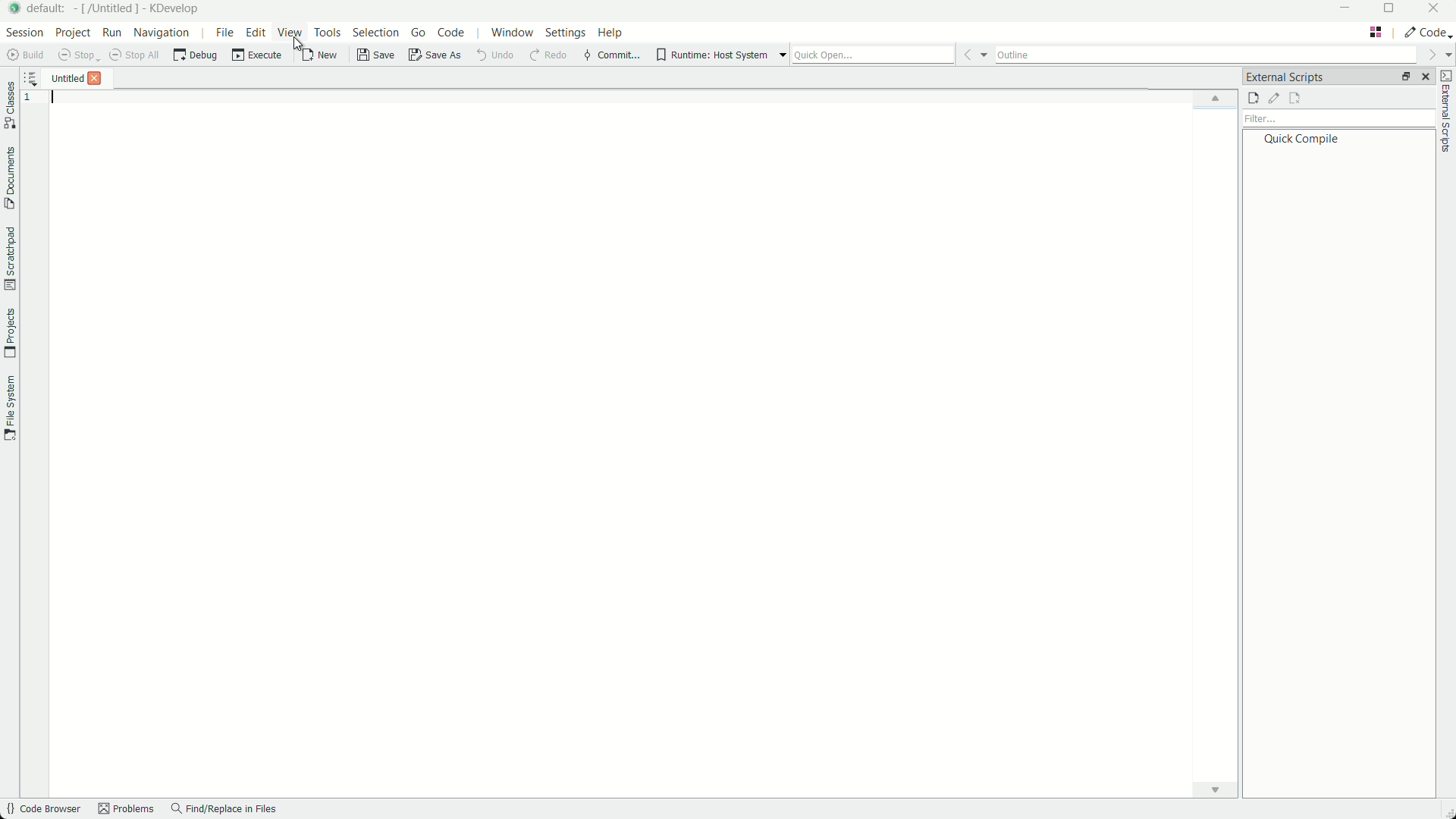 The image size is (1456, 819). Describe the element at coordinates (1375, 33) in the screenshot. I see `change layout` at that location.